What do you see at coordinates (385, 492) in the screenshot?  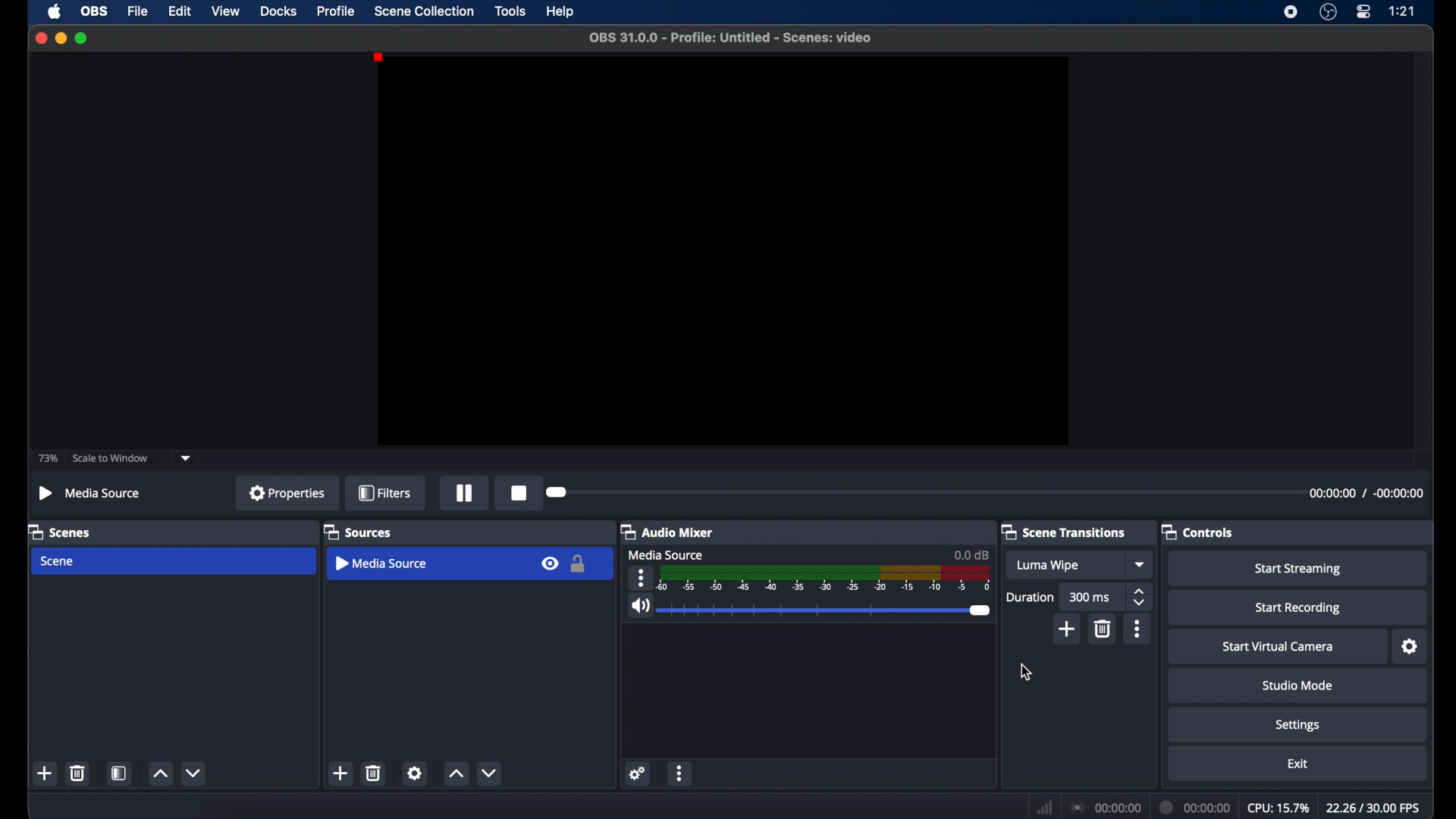 I see `filters` at bounding box center [385, 492].